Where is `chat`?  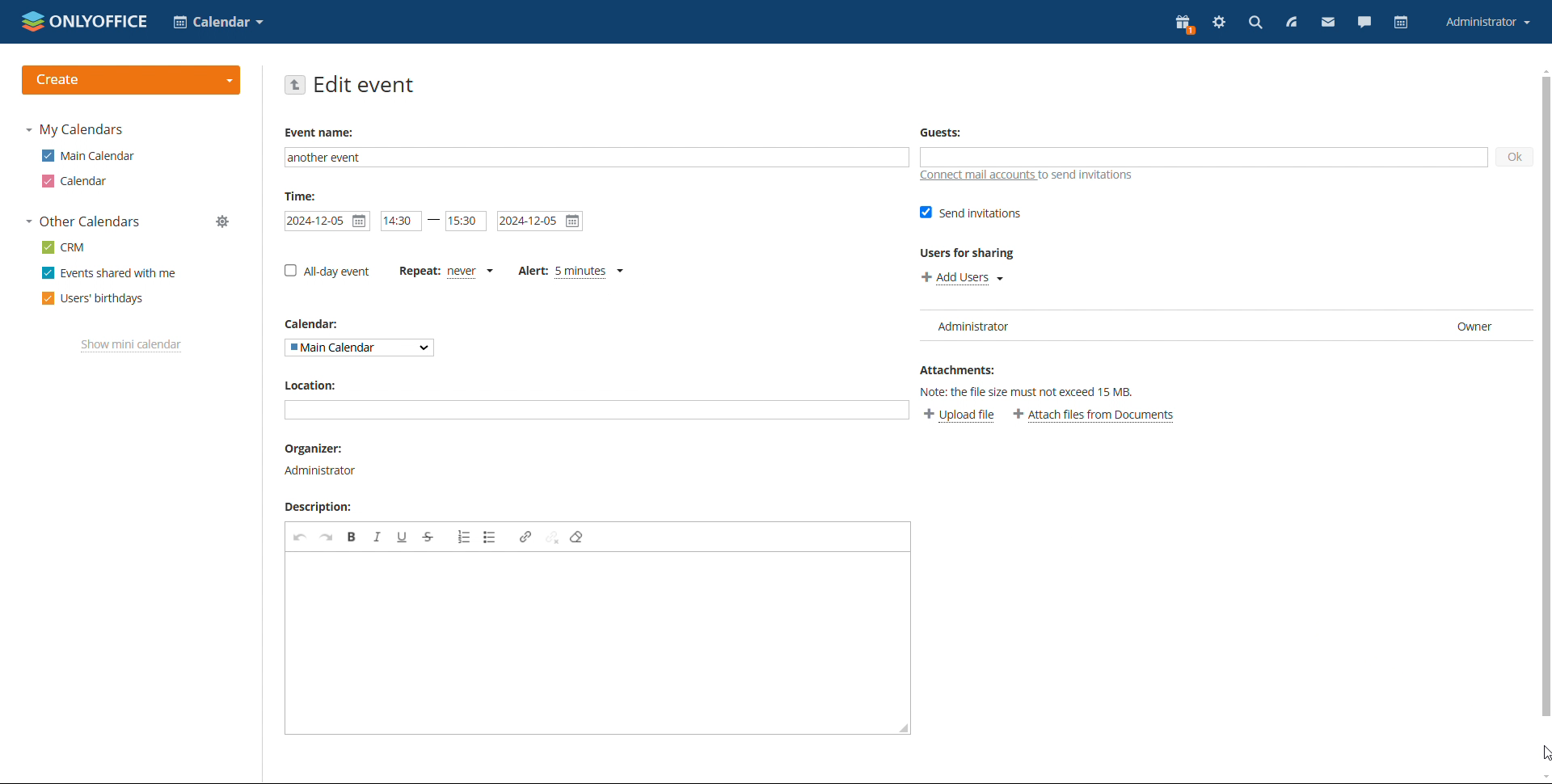 chat is located at coordinates (1364, 24).